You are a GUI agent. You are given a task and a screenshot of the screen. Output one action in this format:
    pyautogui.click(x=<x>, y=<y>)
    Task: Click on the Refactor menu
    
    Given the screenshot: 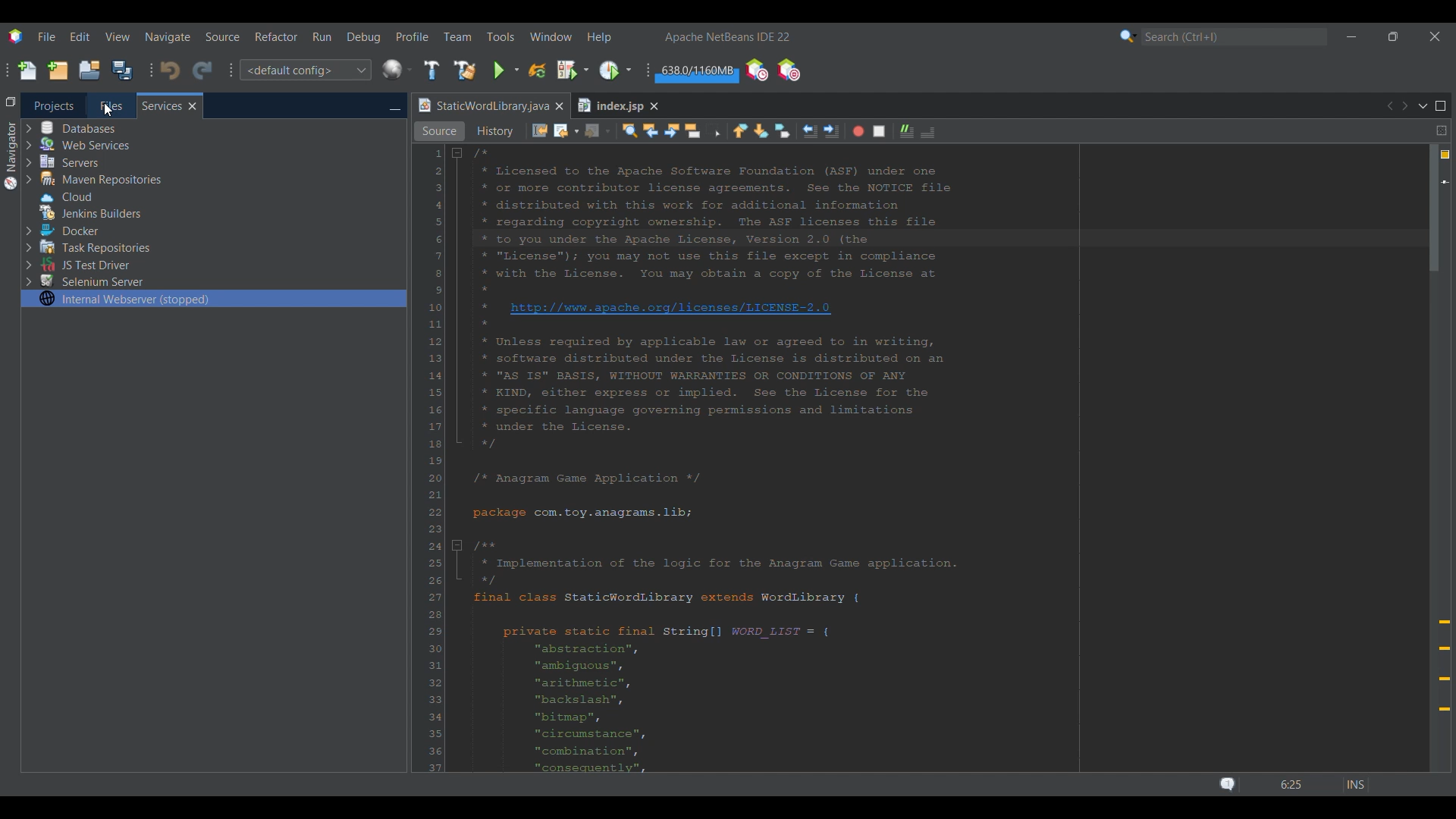 What is the action you would take?
    pyautogui.click(x=275, y=36)
    